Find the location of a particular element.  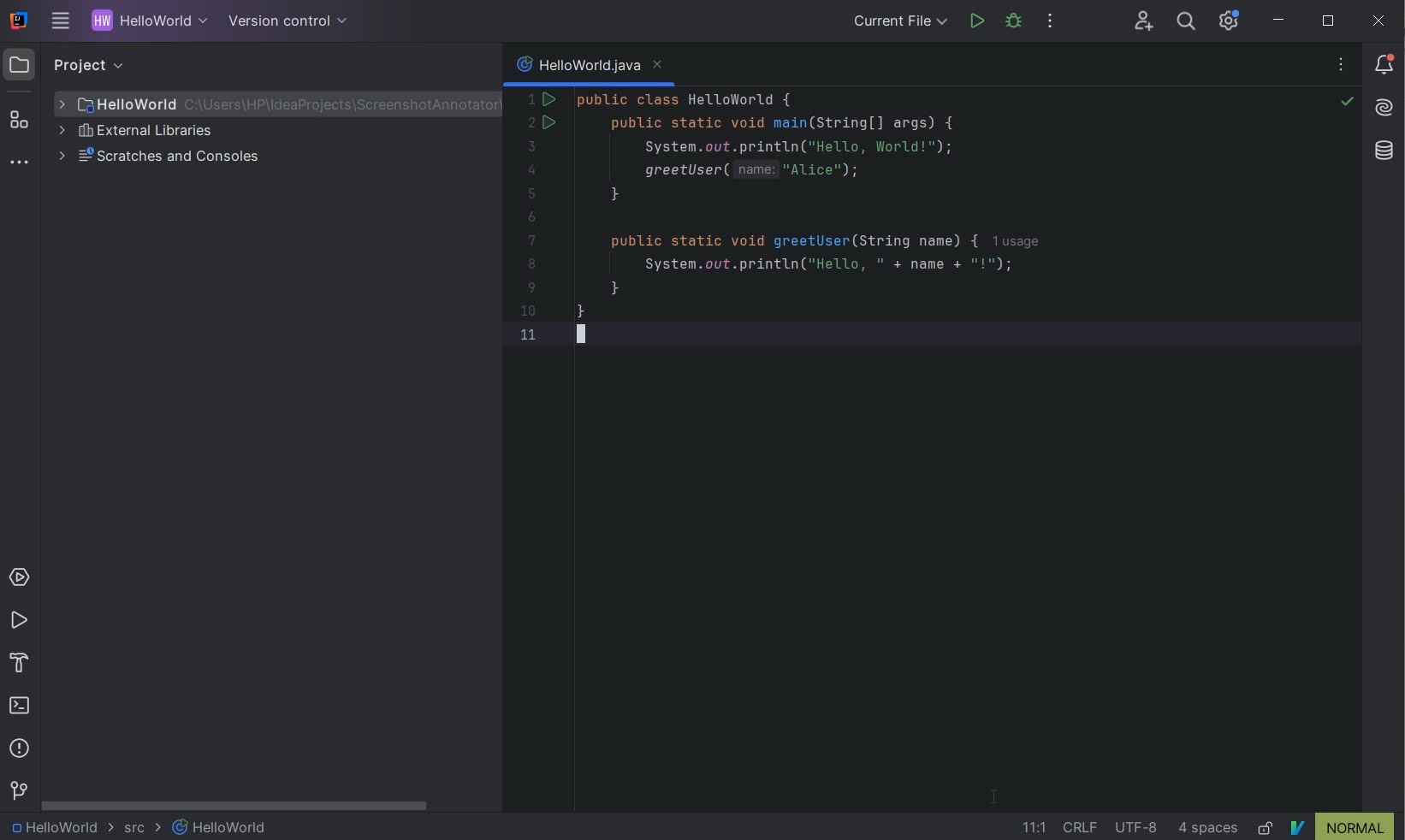

PROBLEMS is located at coordinates (20, 751).